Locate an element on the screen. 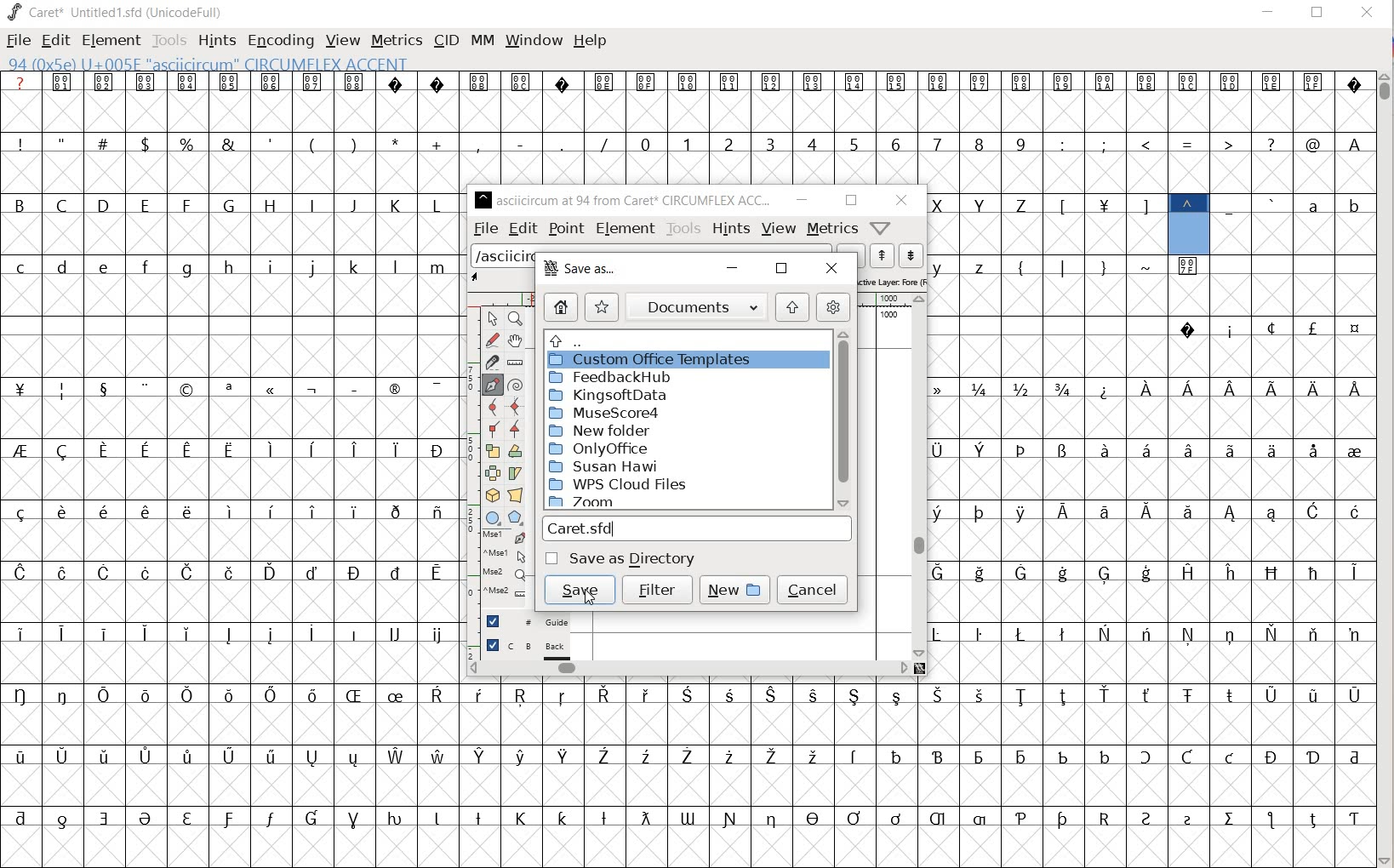 Image resolution: width=1394 pixels, height=868 pixels. asciicircum at 94 from caret circumflex ACCE... is located at coordinates (626, 197).